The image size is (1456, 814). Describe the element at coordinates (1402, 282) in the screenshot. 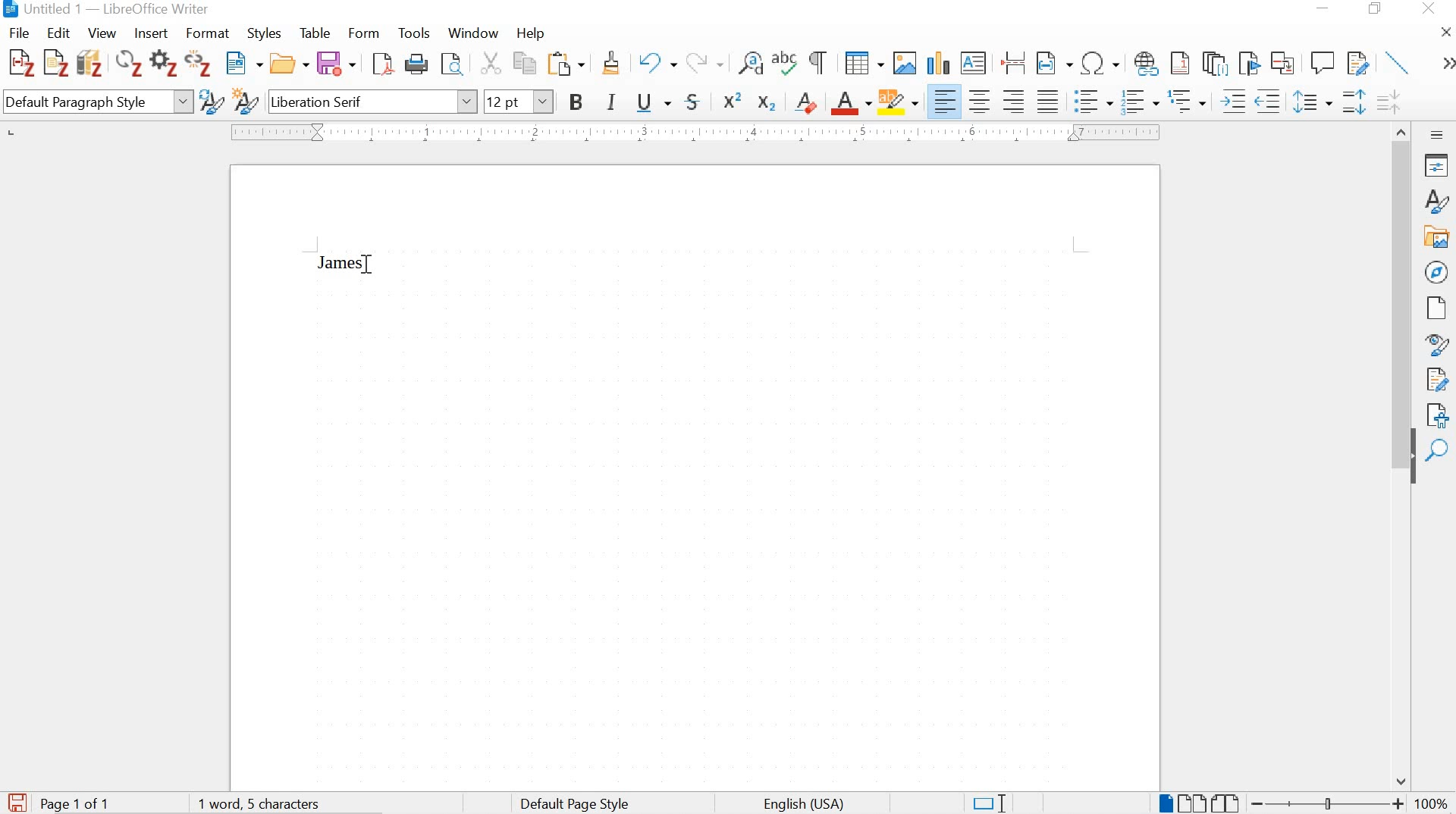

I see `scrollbar` at that location.